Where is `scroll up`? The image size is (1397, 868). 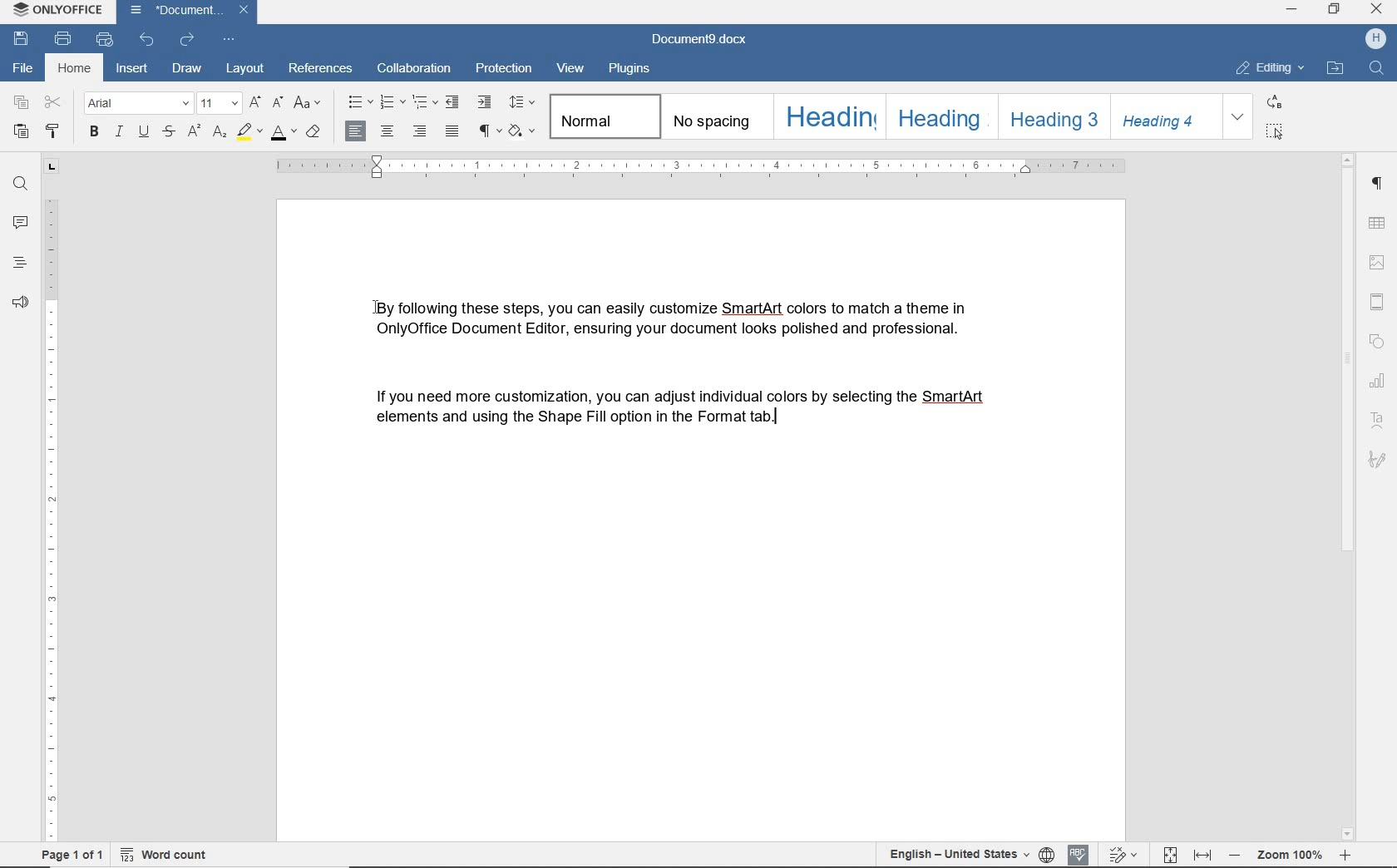
scroll up is located at coordinates (1350, 158).